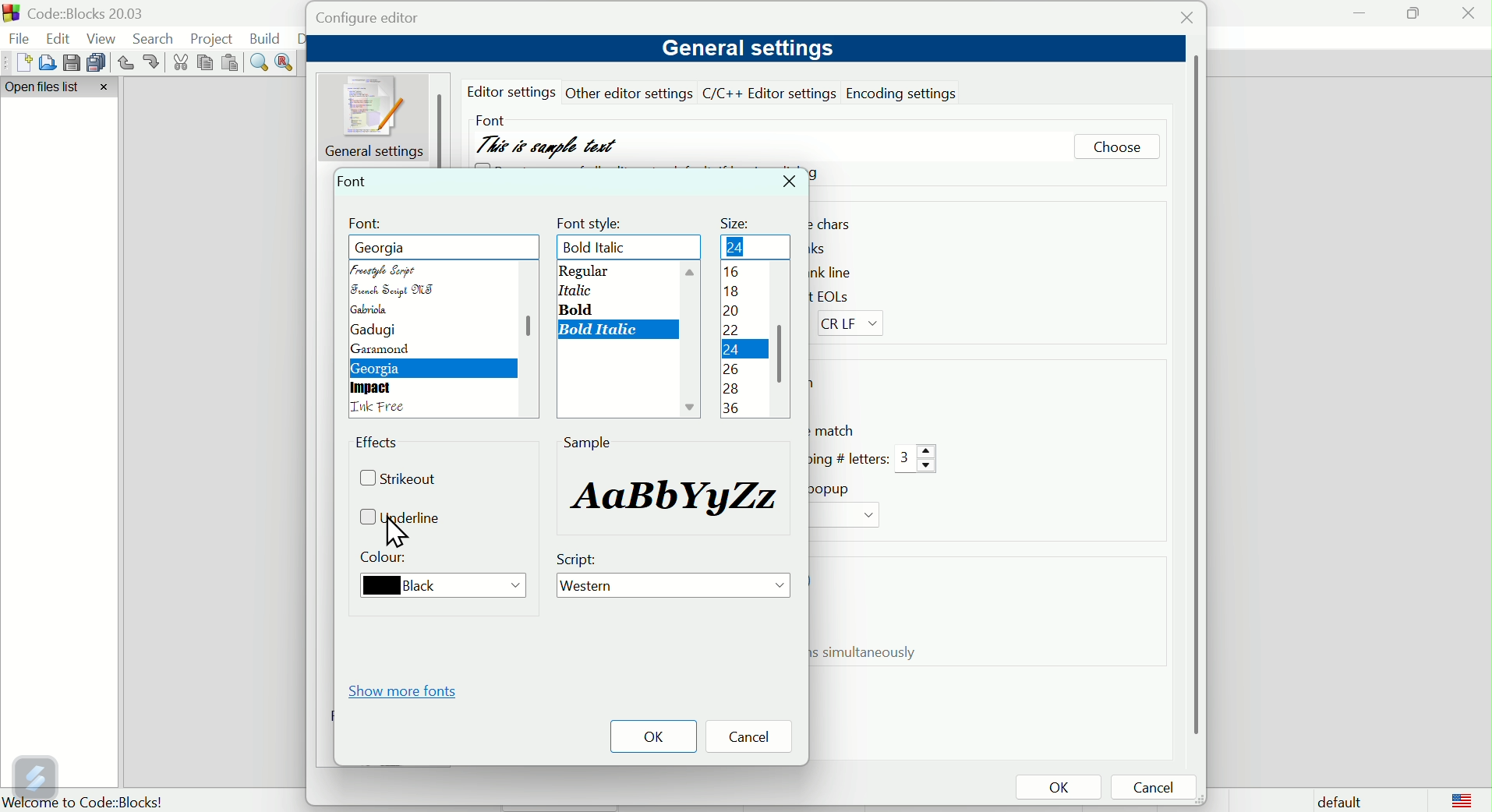  I want to click on Configure editor, so click(384, 19).